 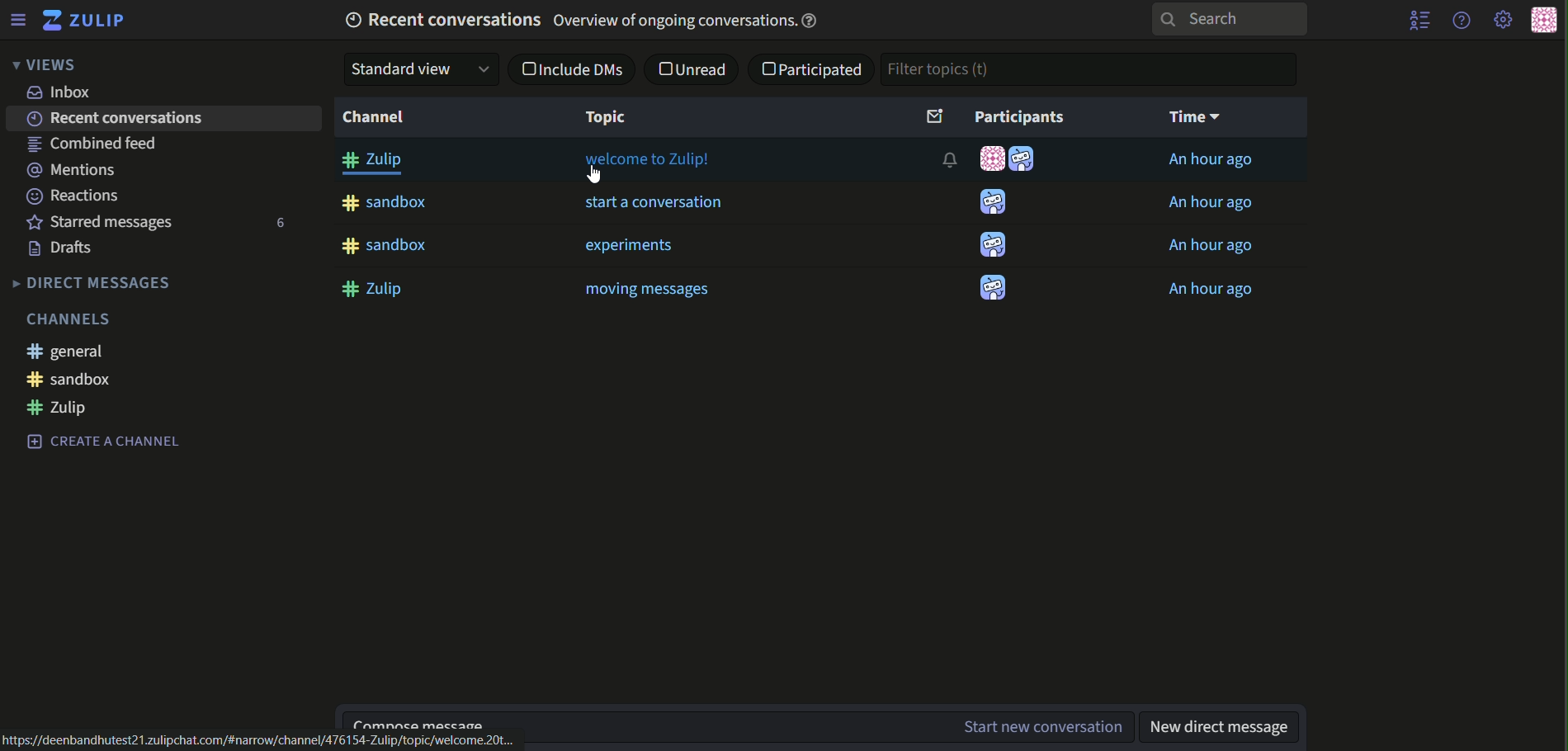 What do you see at coordinates (375, 117) in the screenshot?
I see `channel` at bounding box center [375, 117].